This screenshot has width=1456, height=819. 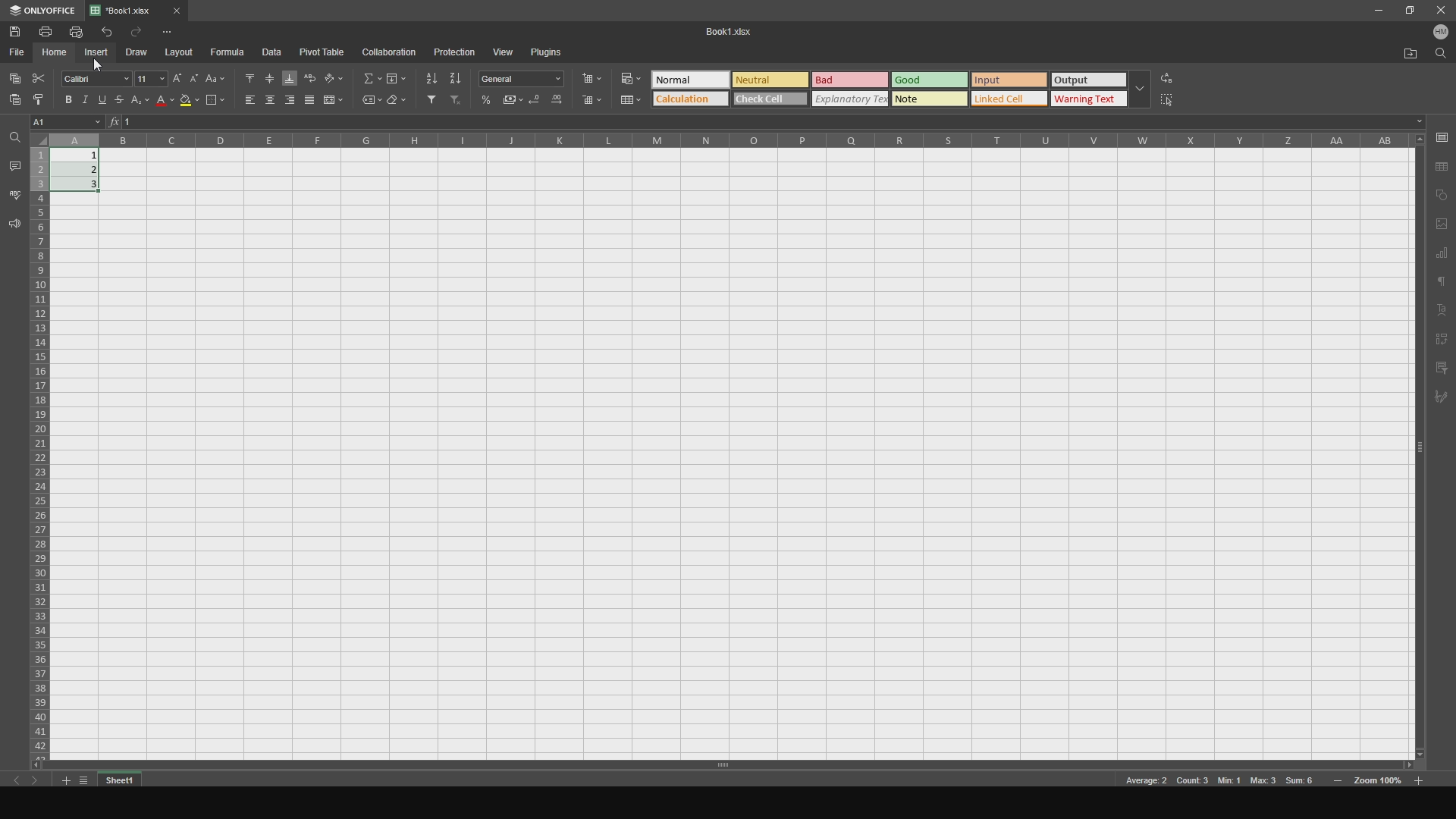 I want to click on sort ascending, so click(x=428, y=76).